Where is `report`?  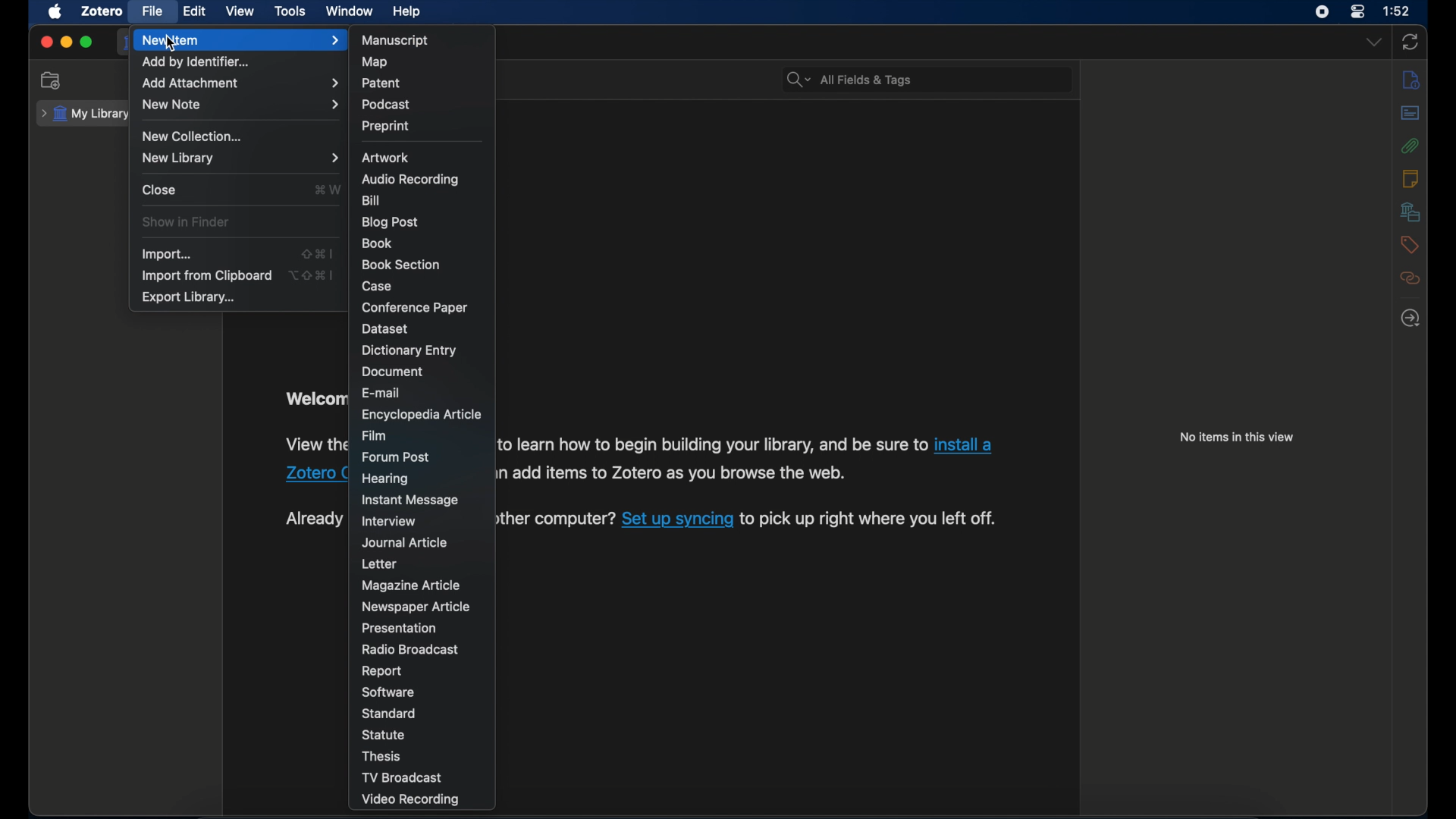 report is located at coordinates (383, 672).